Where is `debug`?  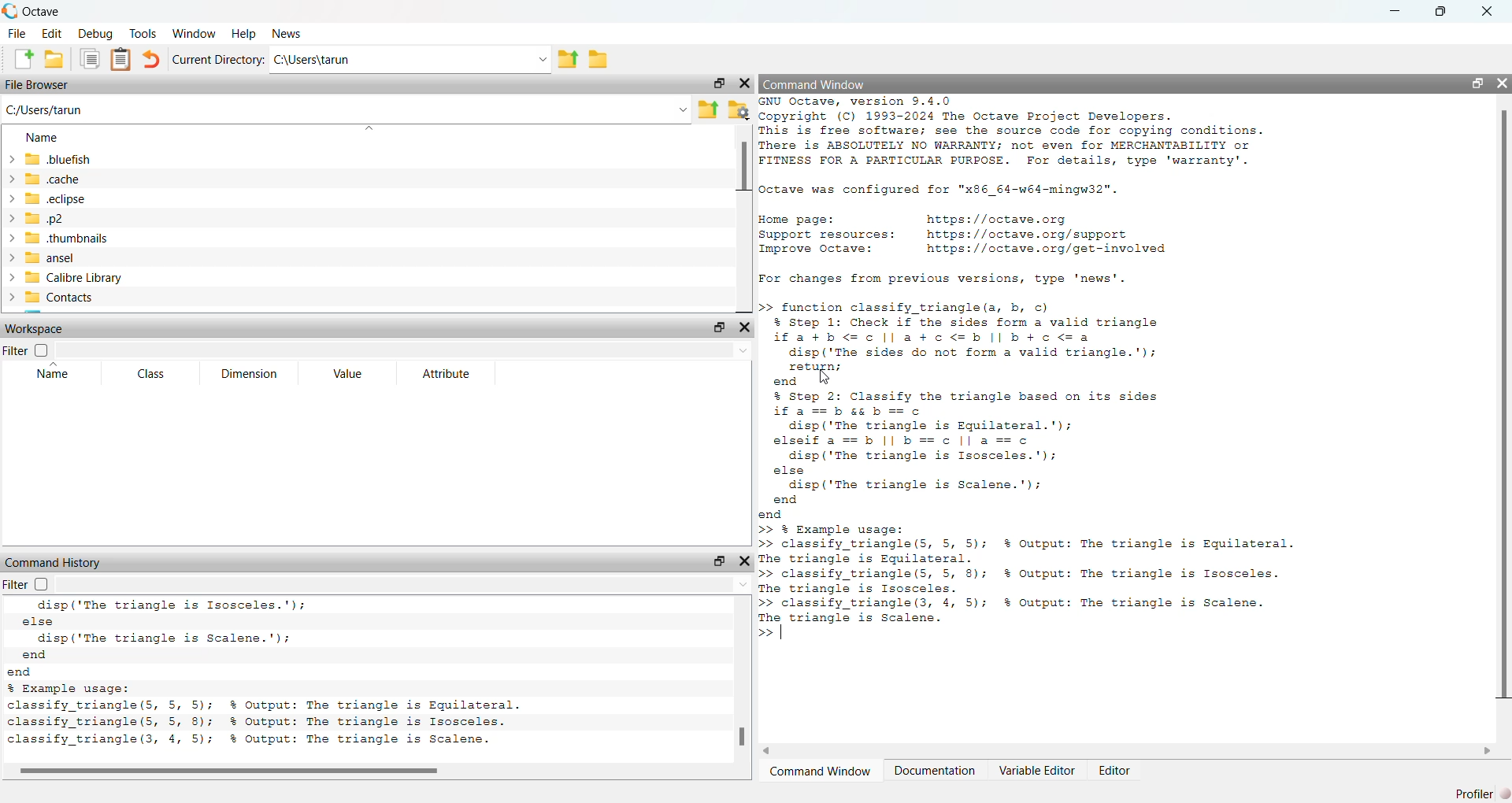
debug is located at coordinates (96, 33).